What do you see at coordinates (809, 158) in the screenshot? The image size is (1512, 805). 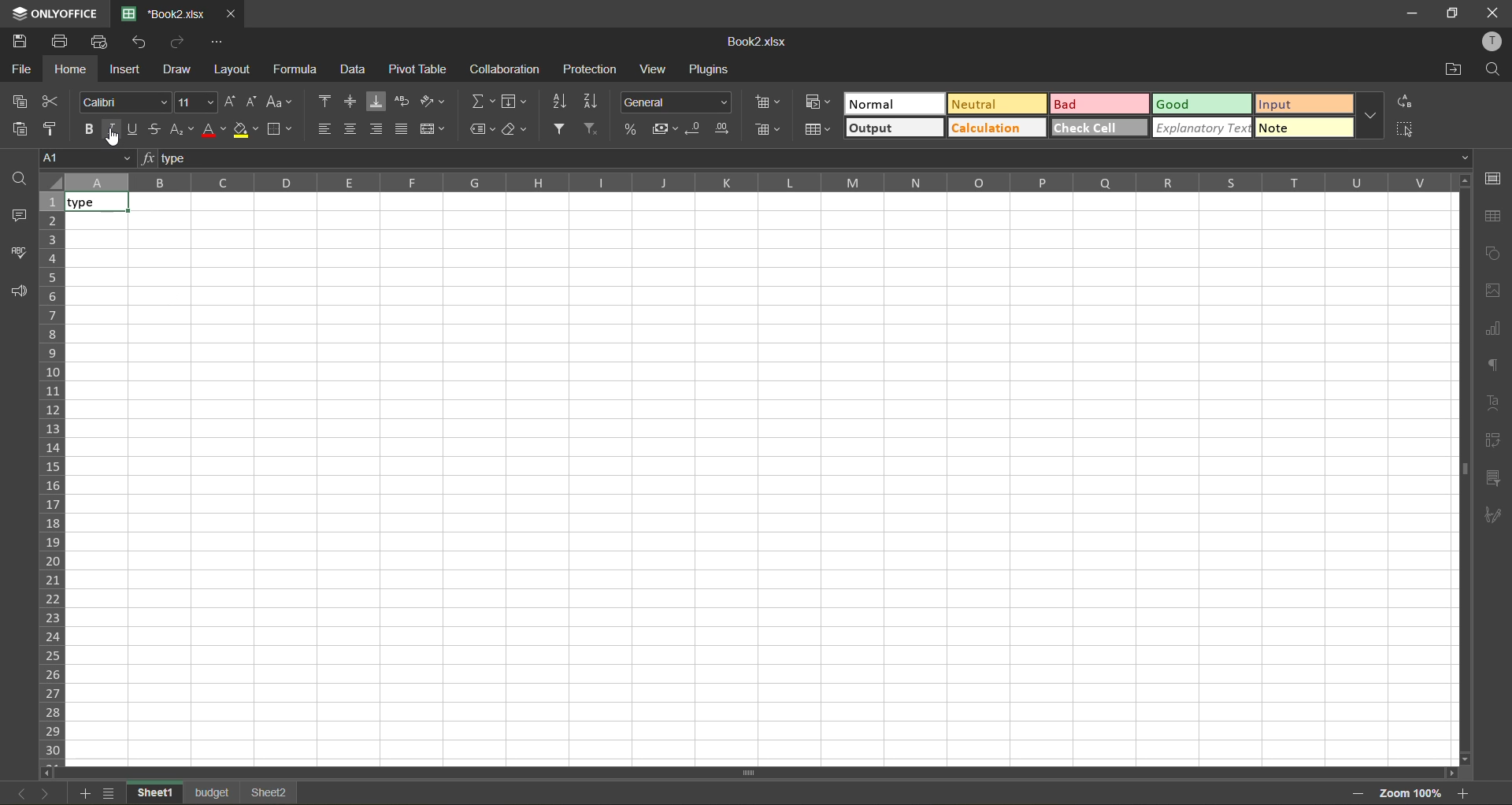 I see `formula bar` at bounding box center [809, 158].